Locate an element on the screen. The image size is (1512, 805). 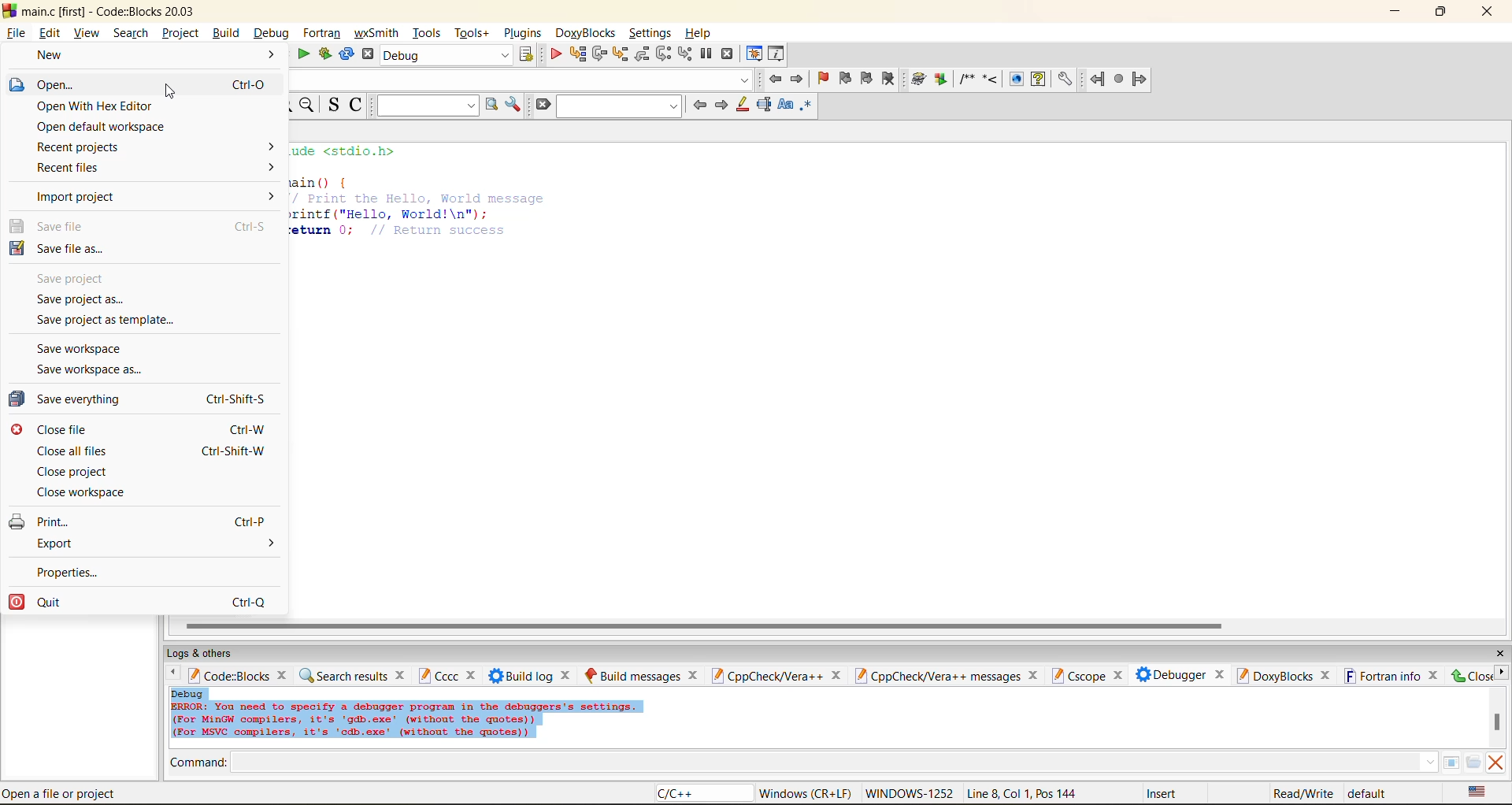
text to search is located at coordinates (424, 105).